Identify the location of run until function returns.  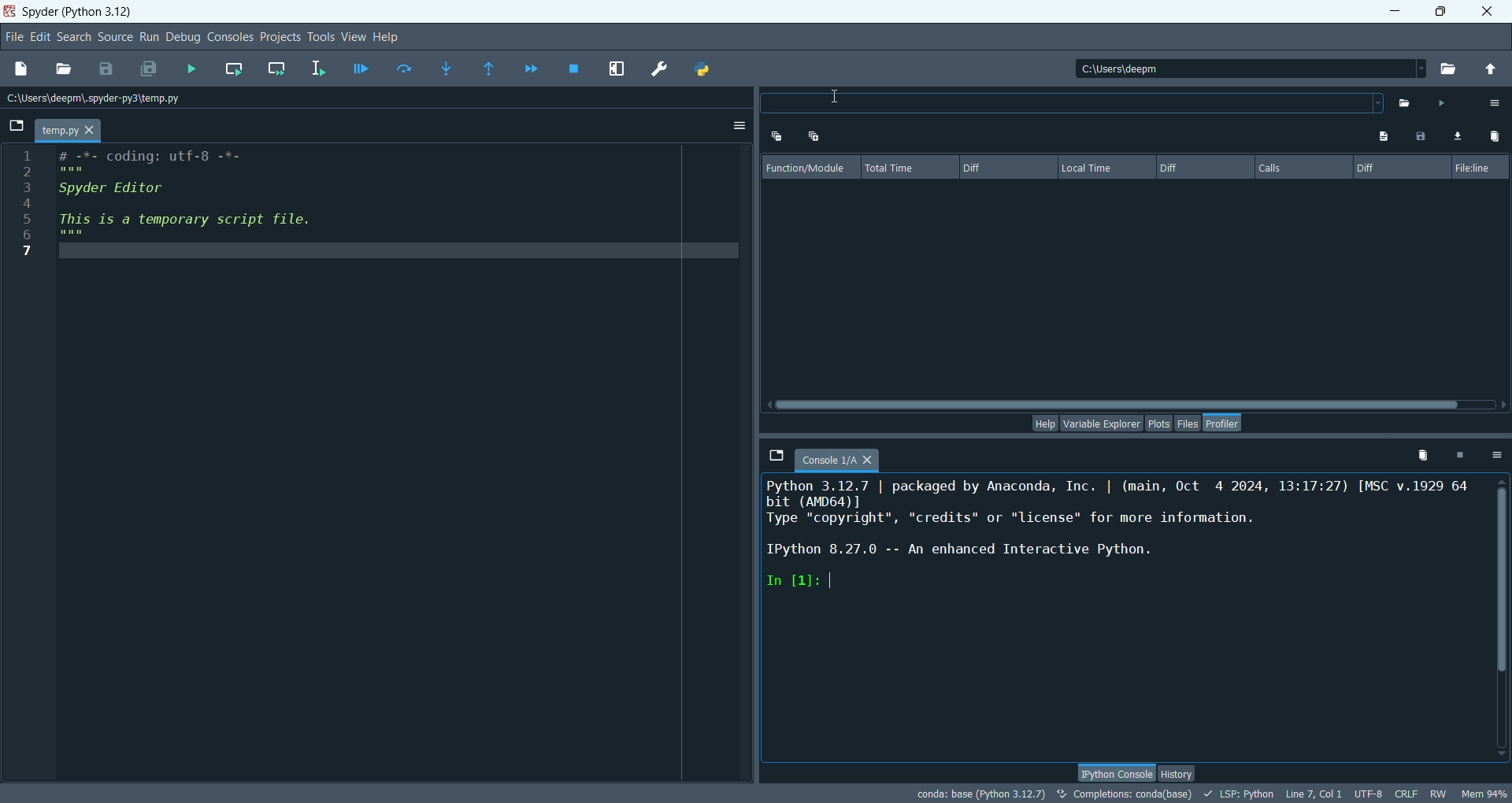
(490, 69).